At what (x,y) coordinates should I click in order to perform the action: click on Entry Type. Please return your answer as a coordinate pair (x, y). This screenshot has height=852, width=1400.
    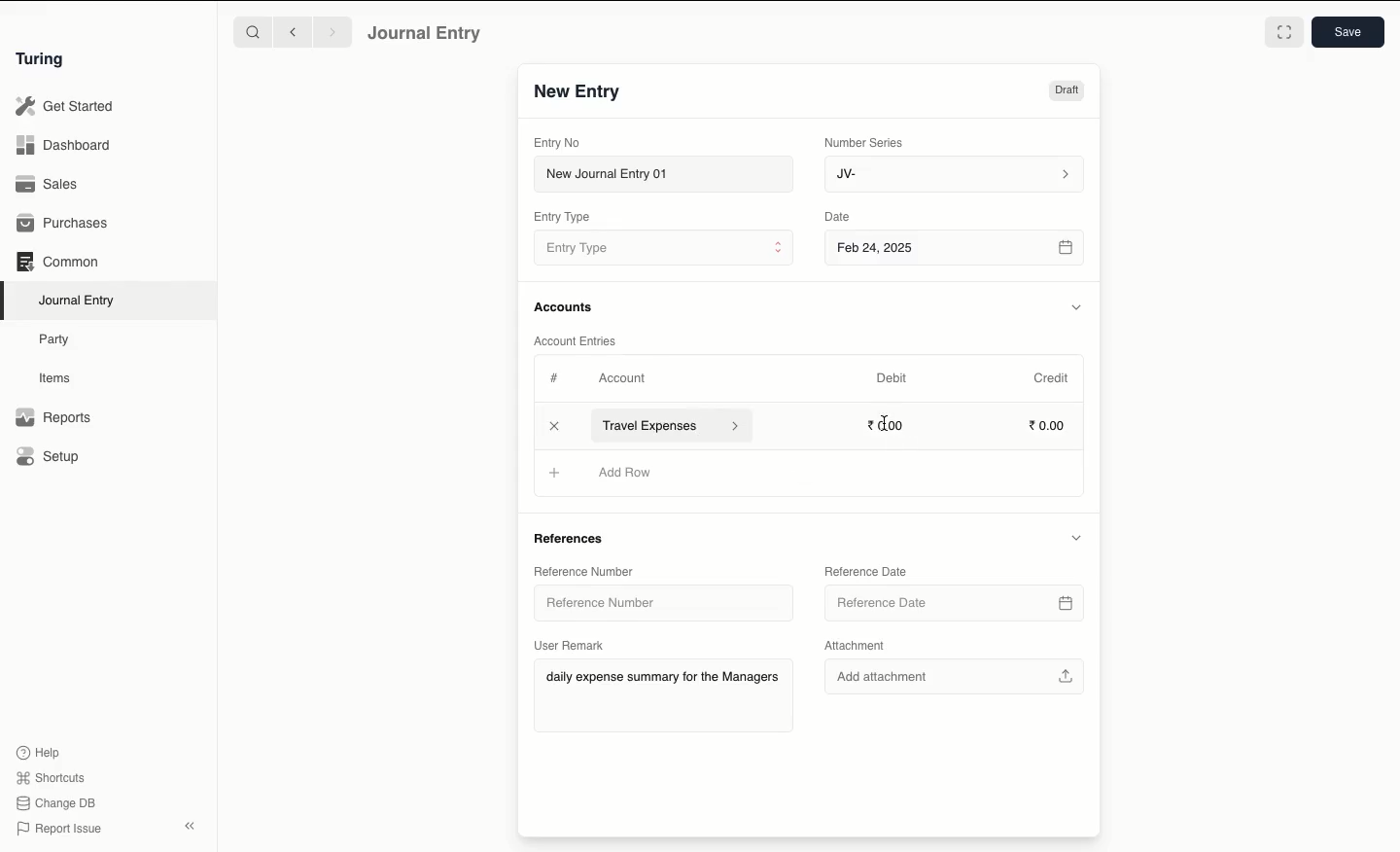
    Looking at the image, I should click on (663, 247).